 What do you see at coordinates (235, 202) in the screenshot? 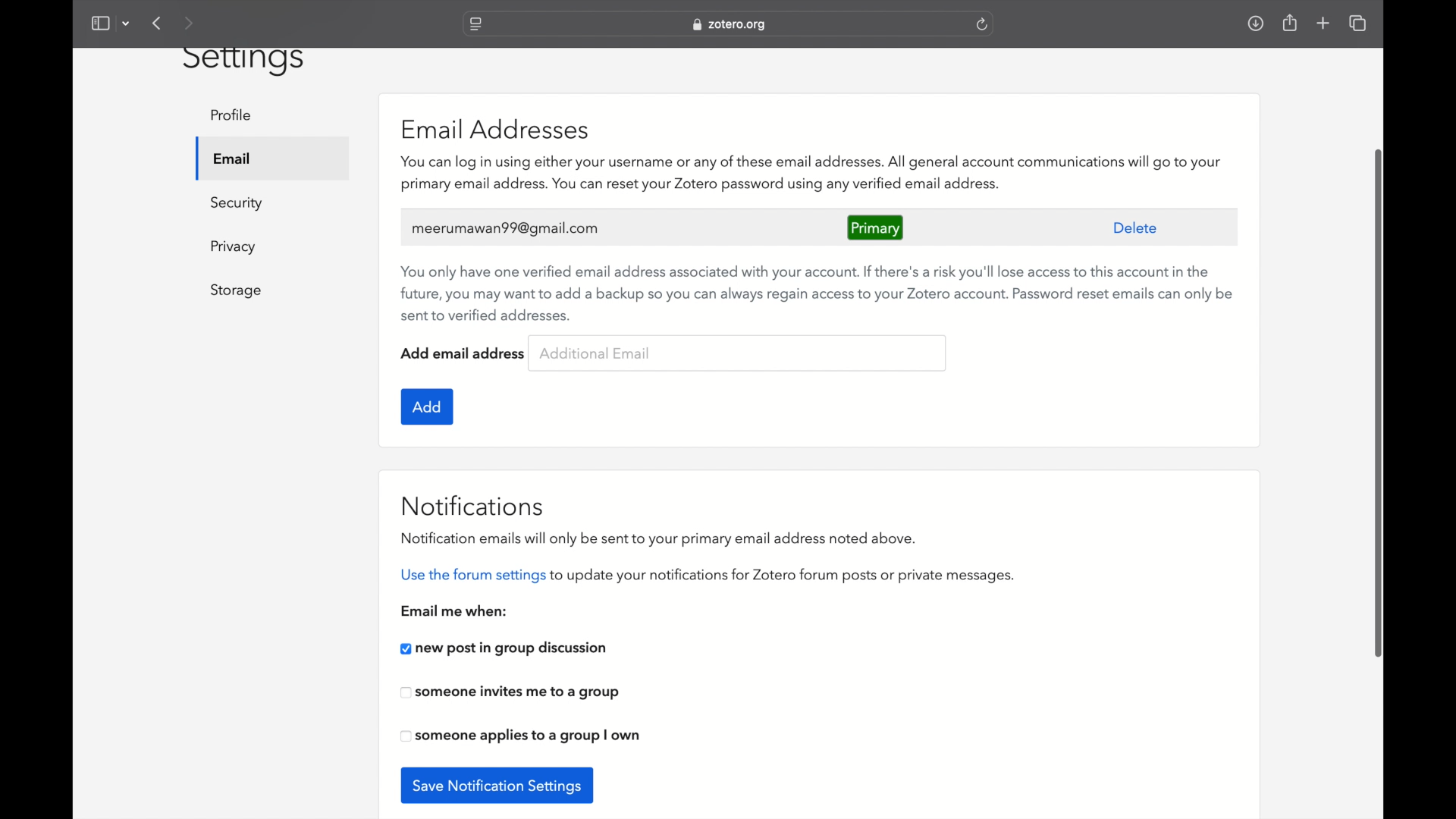
I see `security` at bounding box center [235, 202].